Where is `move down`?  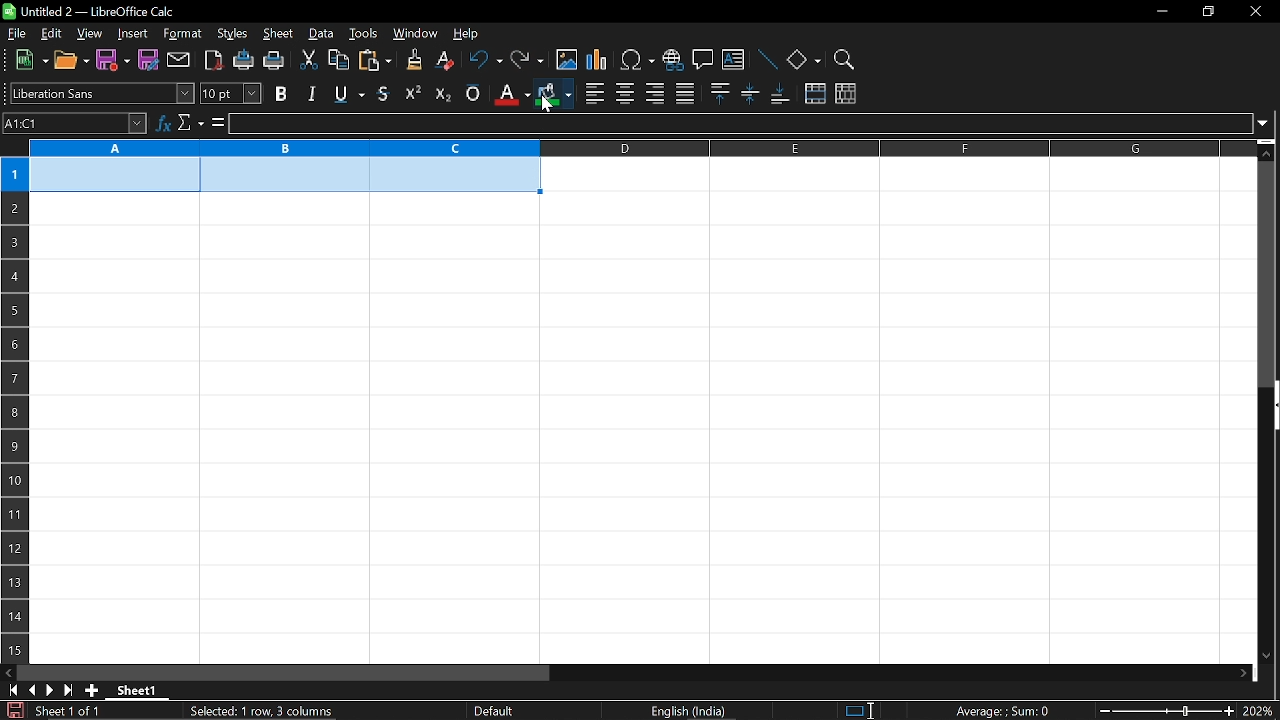
move down is located at coordinates (1270, 657).